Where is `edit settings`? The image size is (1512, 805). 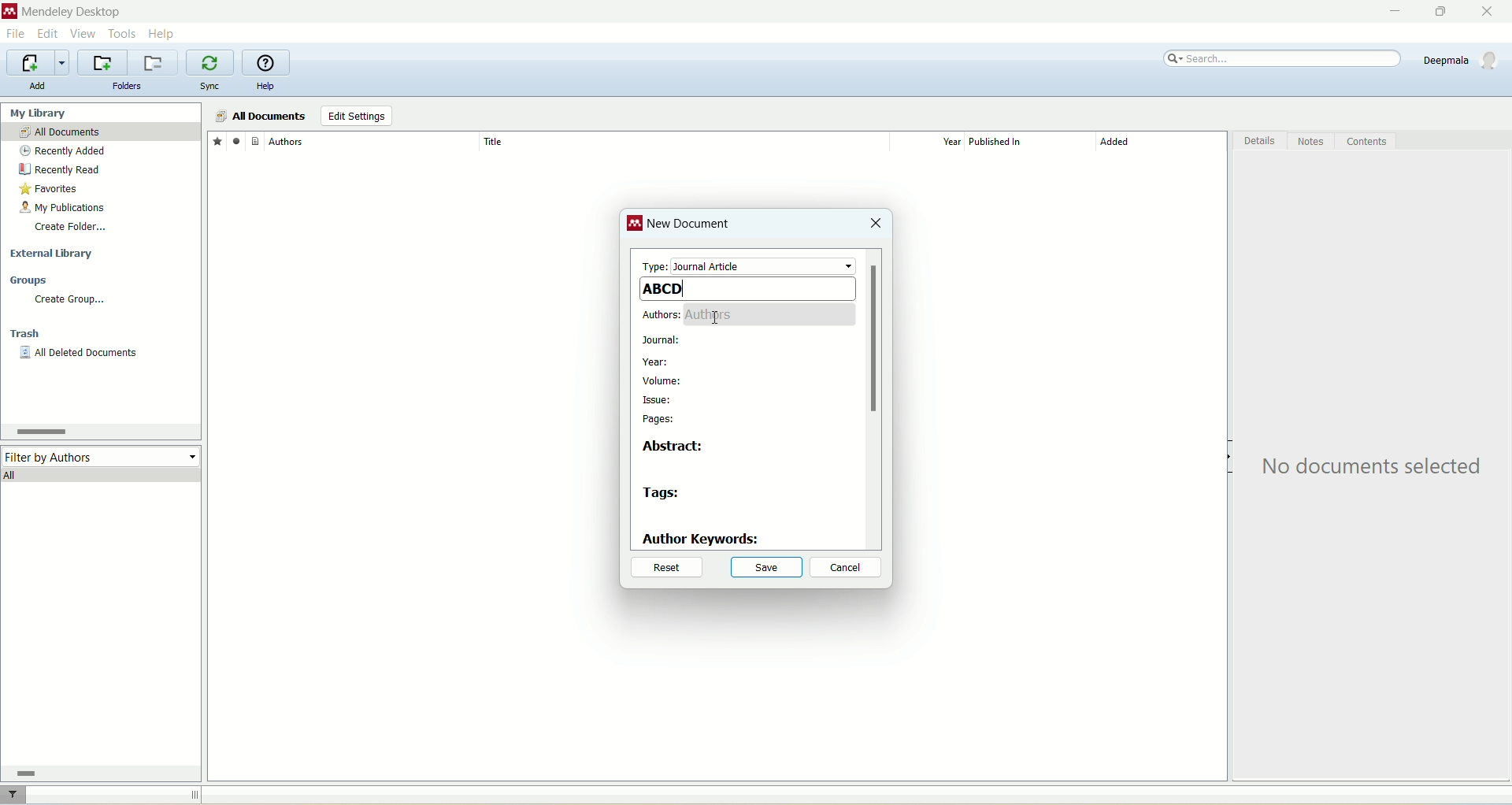 edit settings is located at coordinates (356, 117).